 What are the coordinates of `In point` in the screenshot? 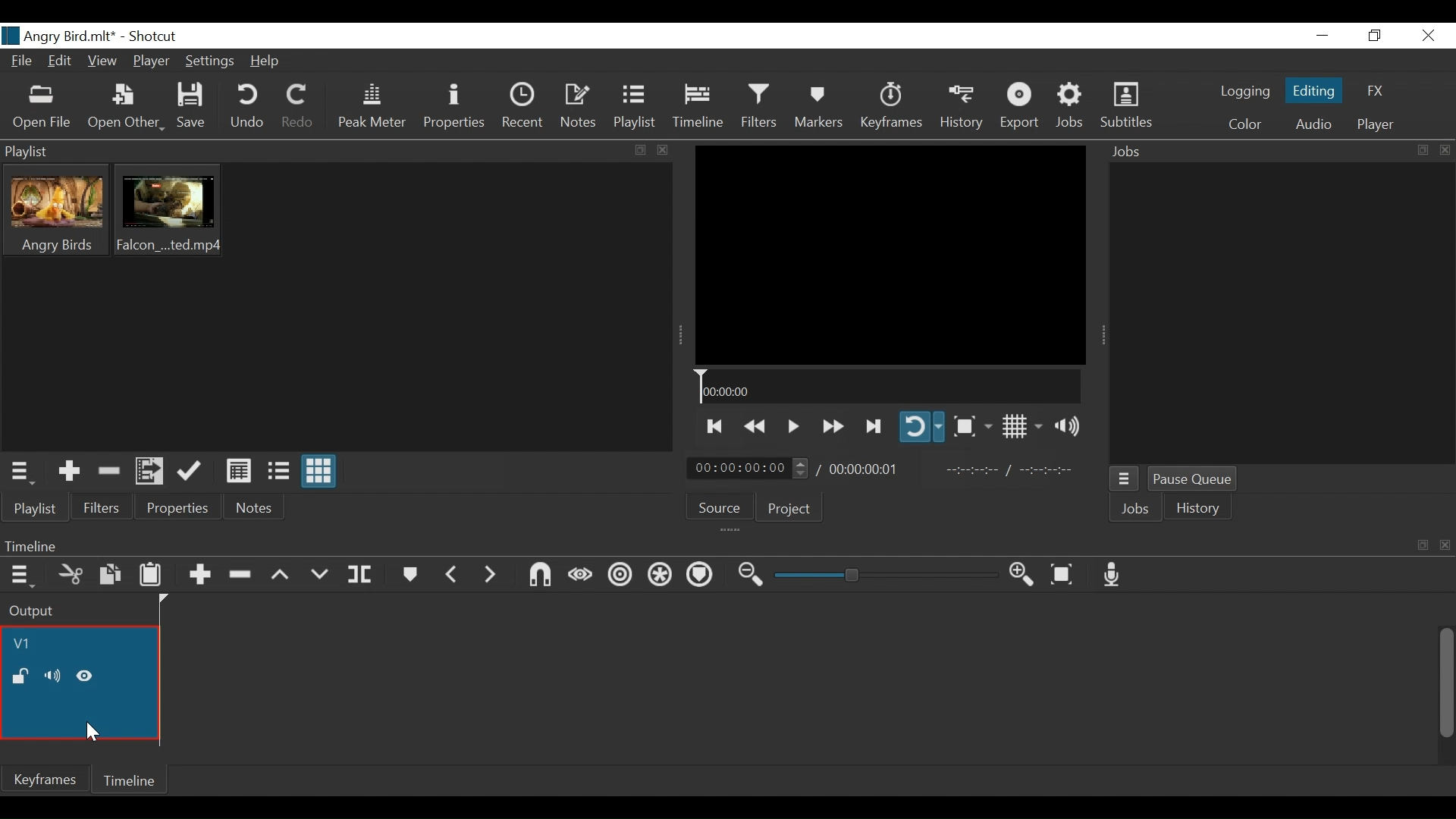 It's located at (1012, 469).